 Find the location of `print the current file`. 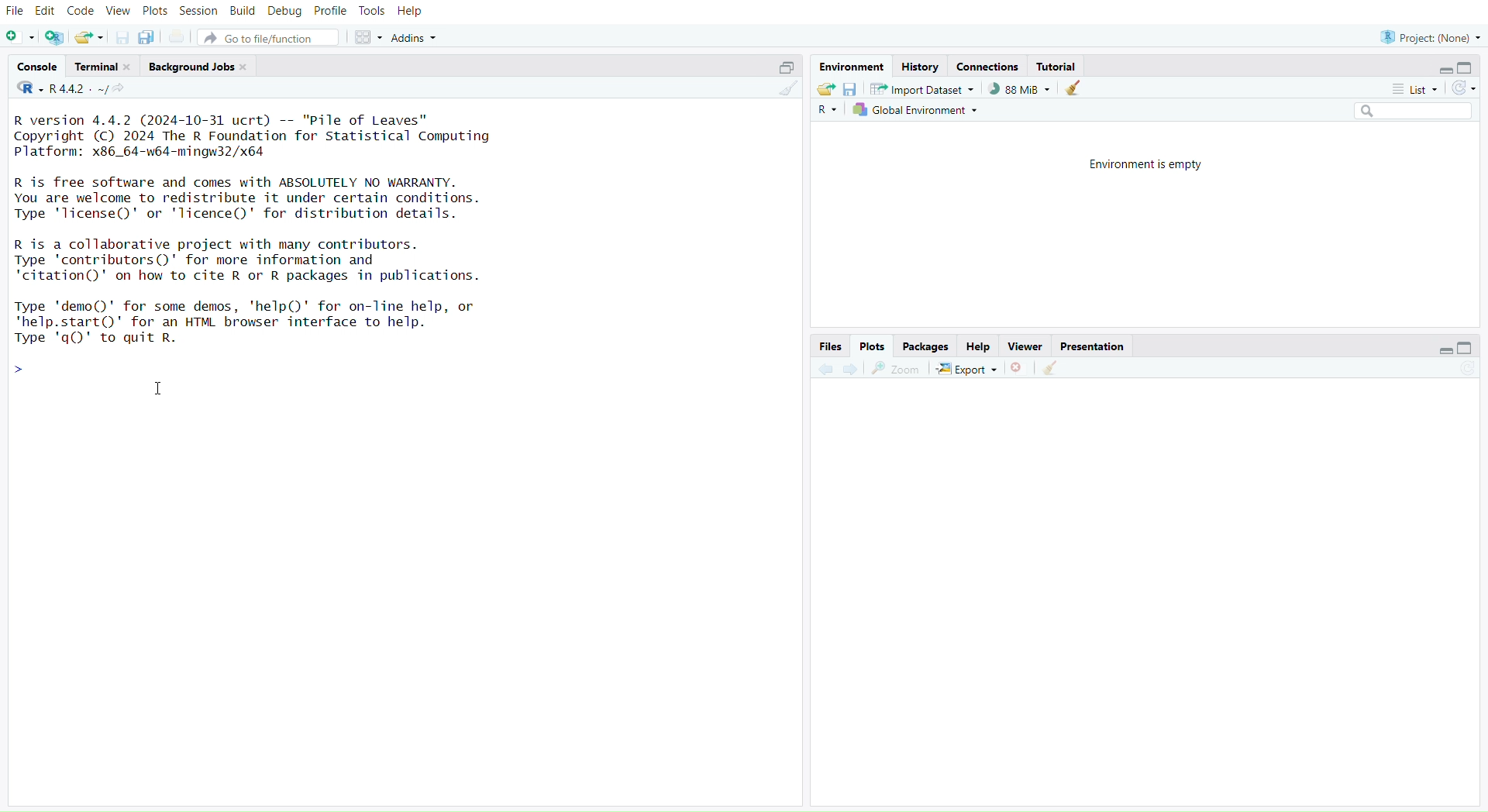

print the current file is located at coordinates (178, 38).